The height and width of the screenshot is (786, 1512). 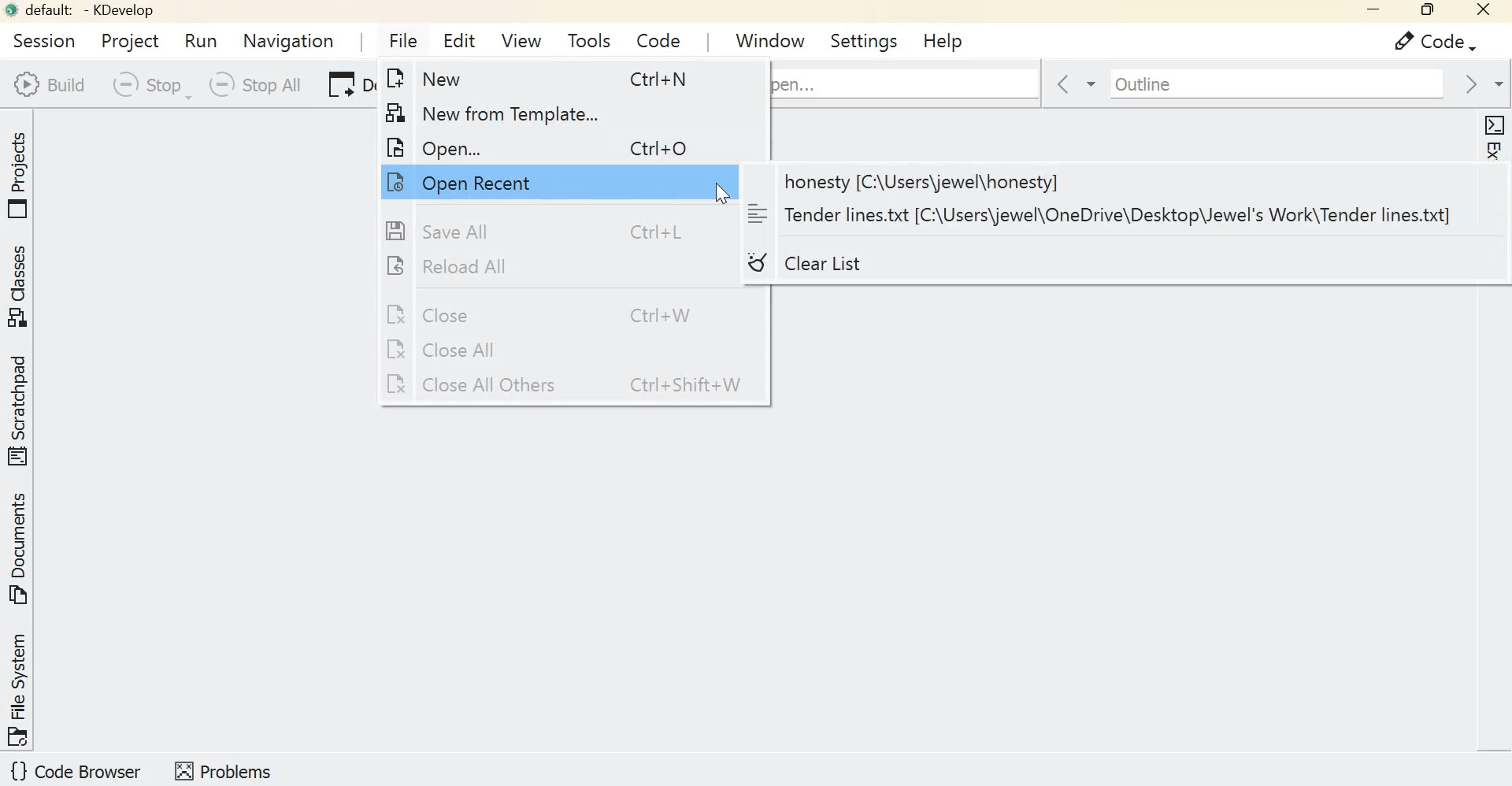 I want to click on Toggle 'Classes' tool view, so click(x=21, y=287).